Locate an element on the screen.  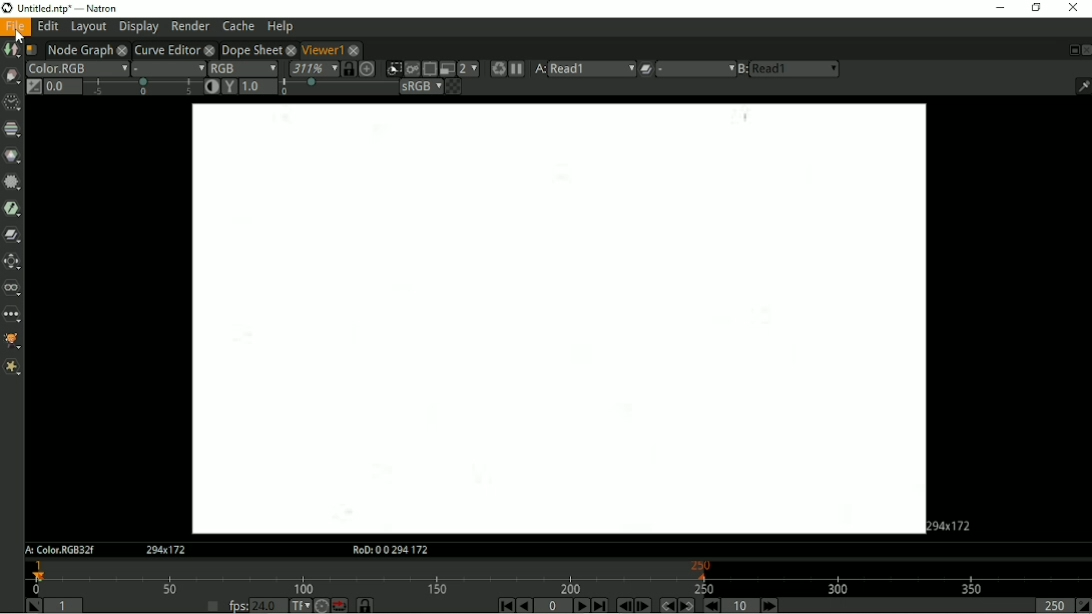
Curve Editor is located at coordinates (168, 48).